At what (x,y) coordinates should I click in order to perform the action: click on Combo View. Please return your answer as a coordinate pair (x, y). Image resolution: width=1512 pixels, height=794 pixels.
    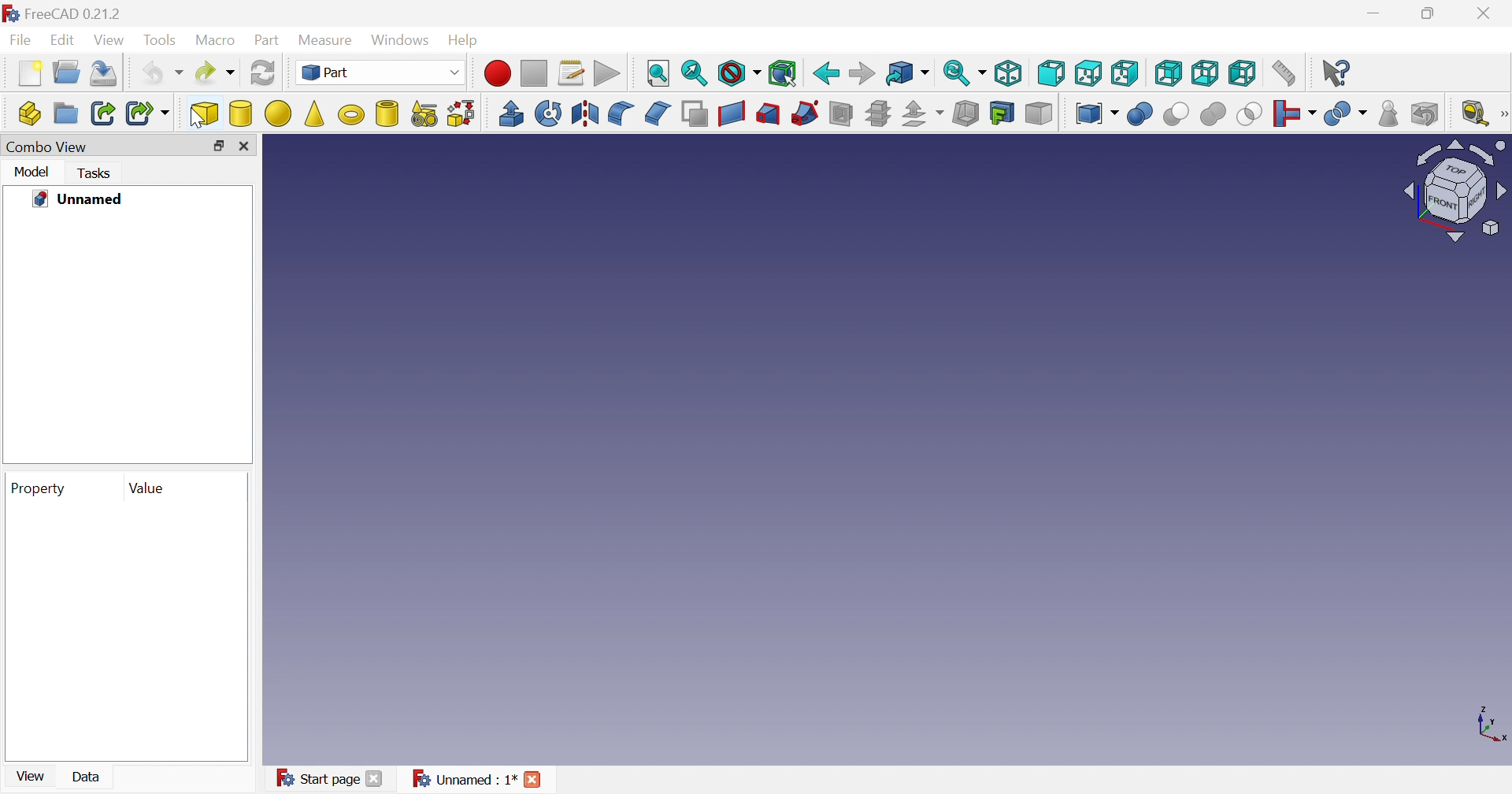
    Looking at the image, I should click on (50, 149).